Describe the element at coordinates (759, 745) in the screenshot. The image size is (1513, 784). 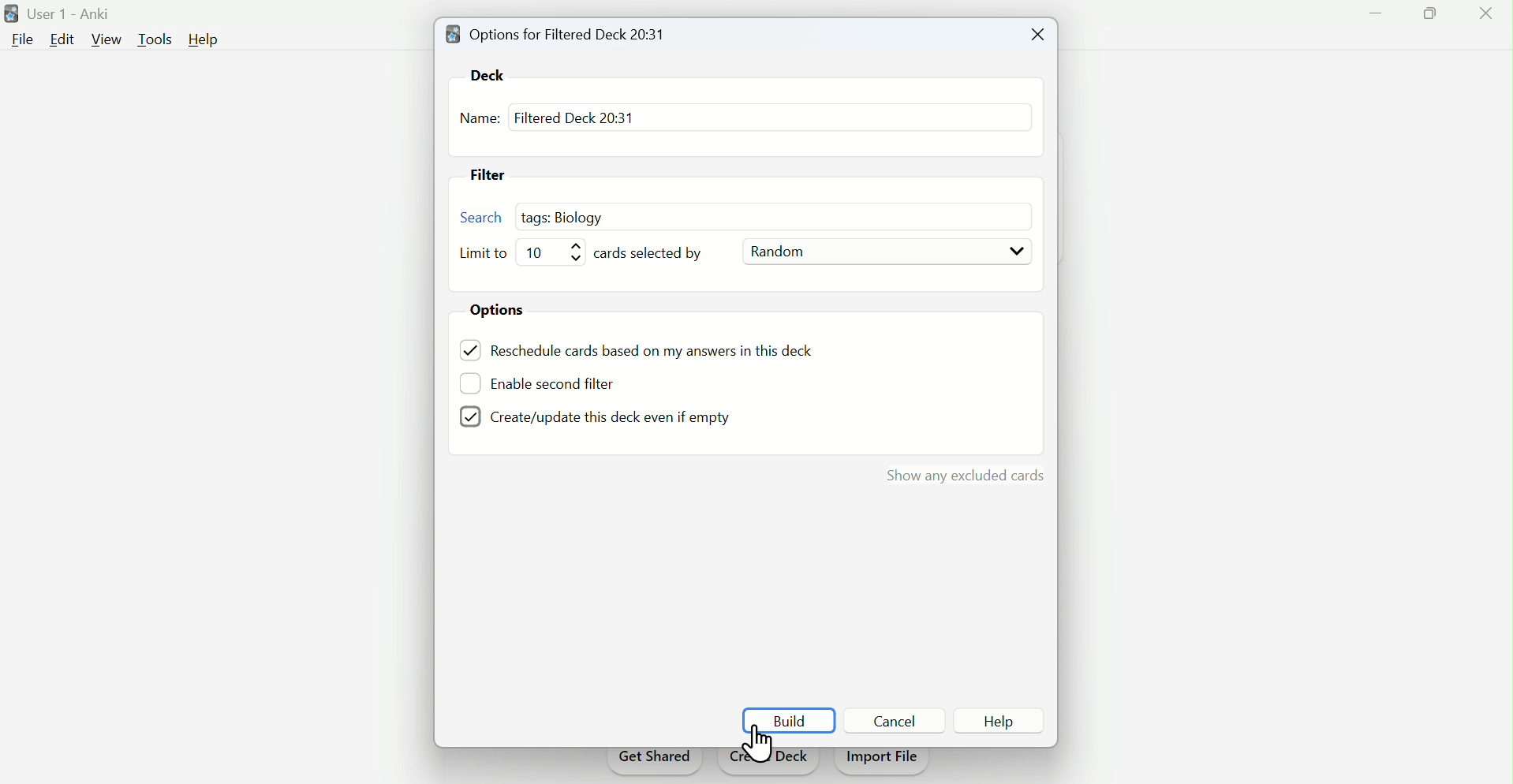
I see `Cursor on Build` at that location.